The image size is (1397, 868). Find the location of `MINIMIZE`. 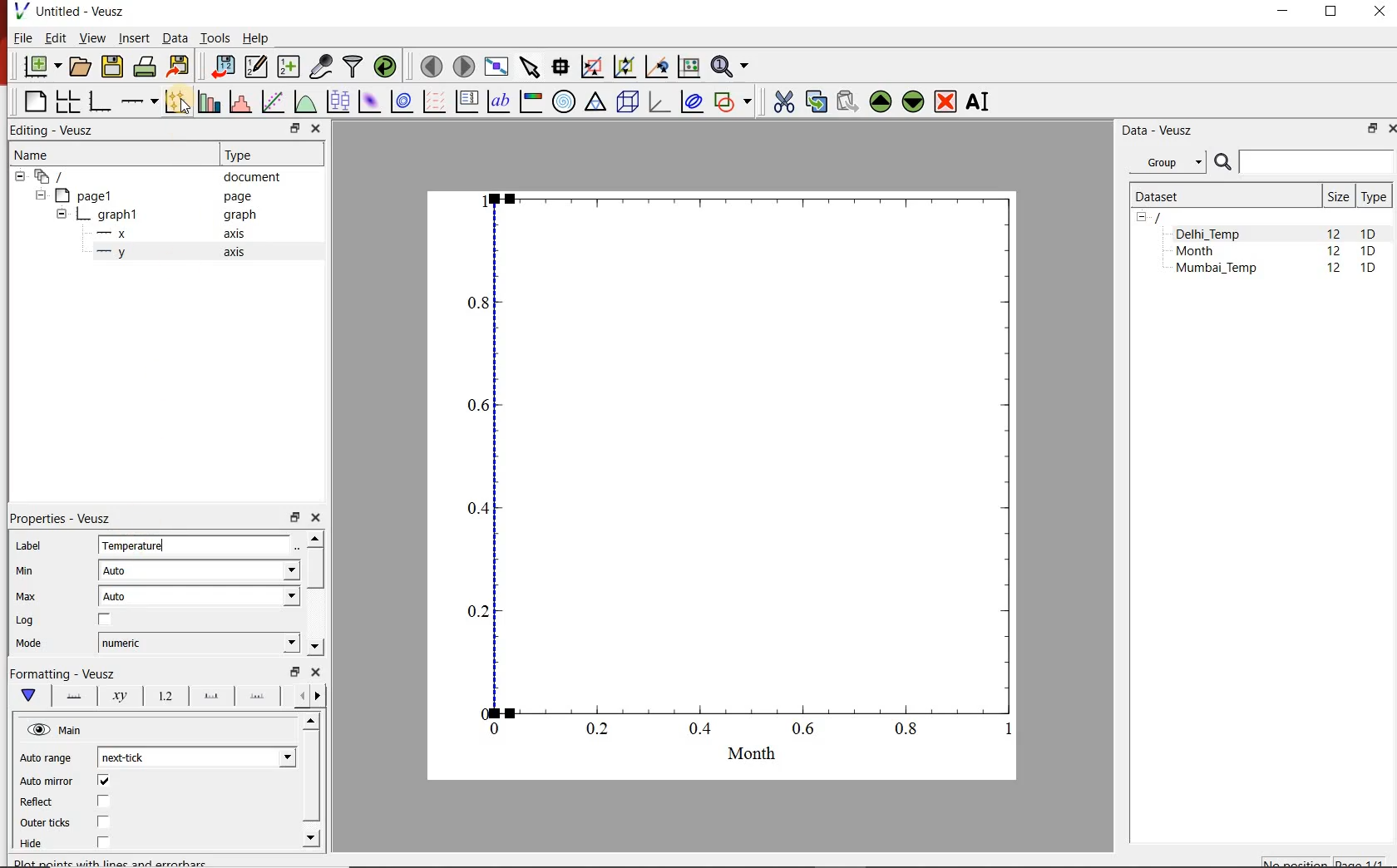

MINIMIZE is located at coordinates (1284, 12).